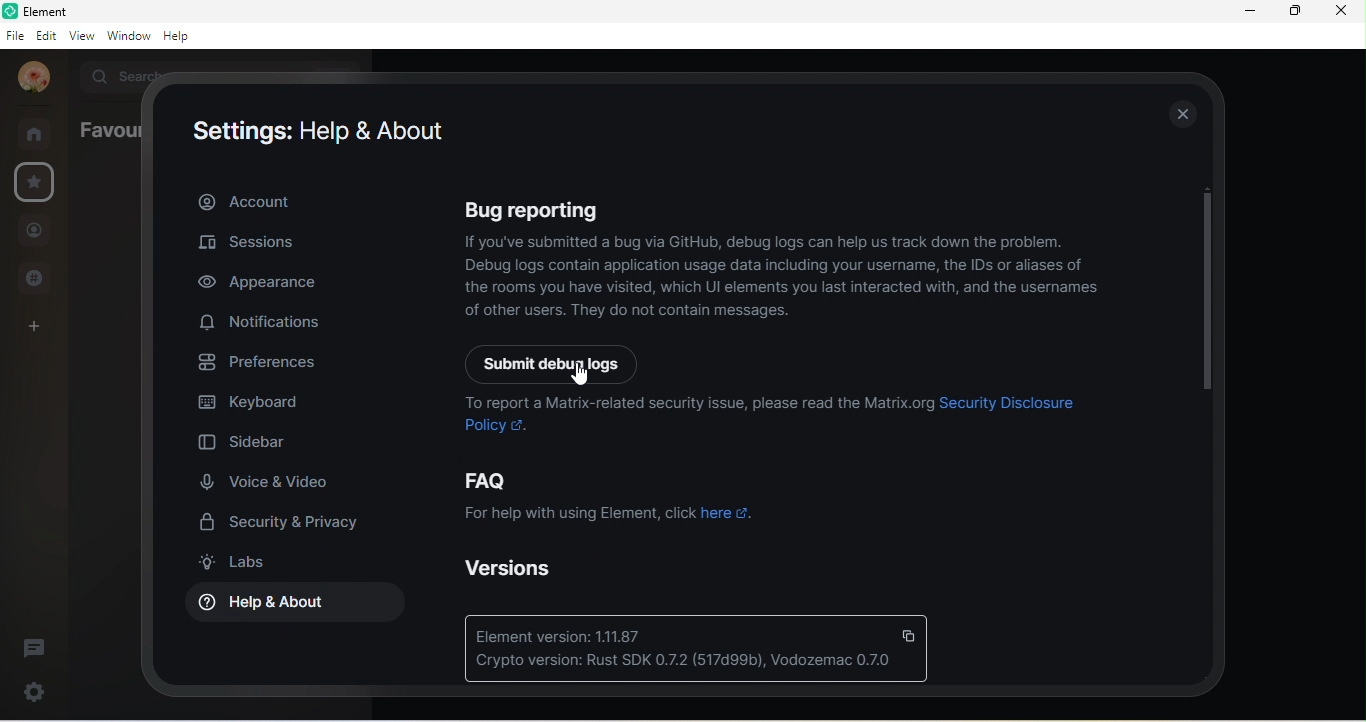  Describe the element at coordinates (40, 184) in the screenshot. I see `favourites` at that location.